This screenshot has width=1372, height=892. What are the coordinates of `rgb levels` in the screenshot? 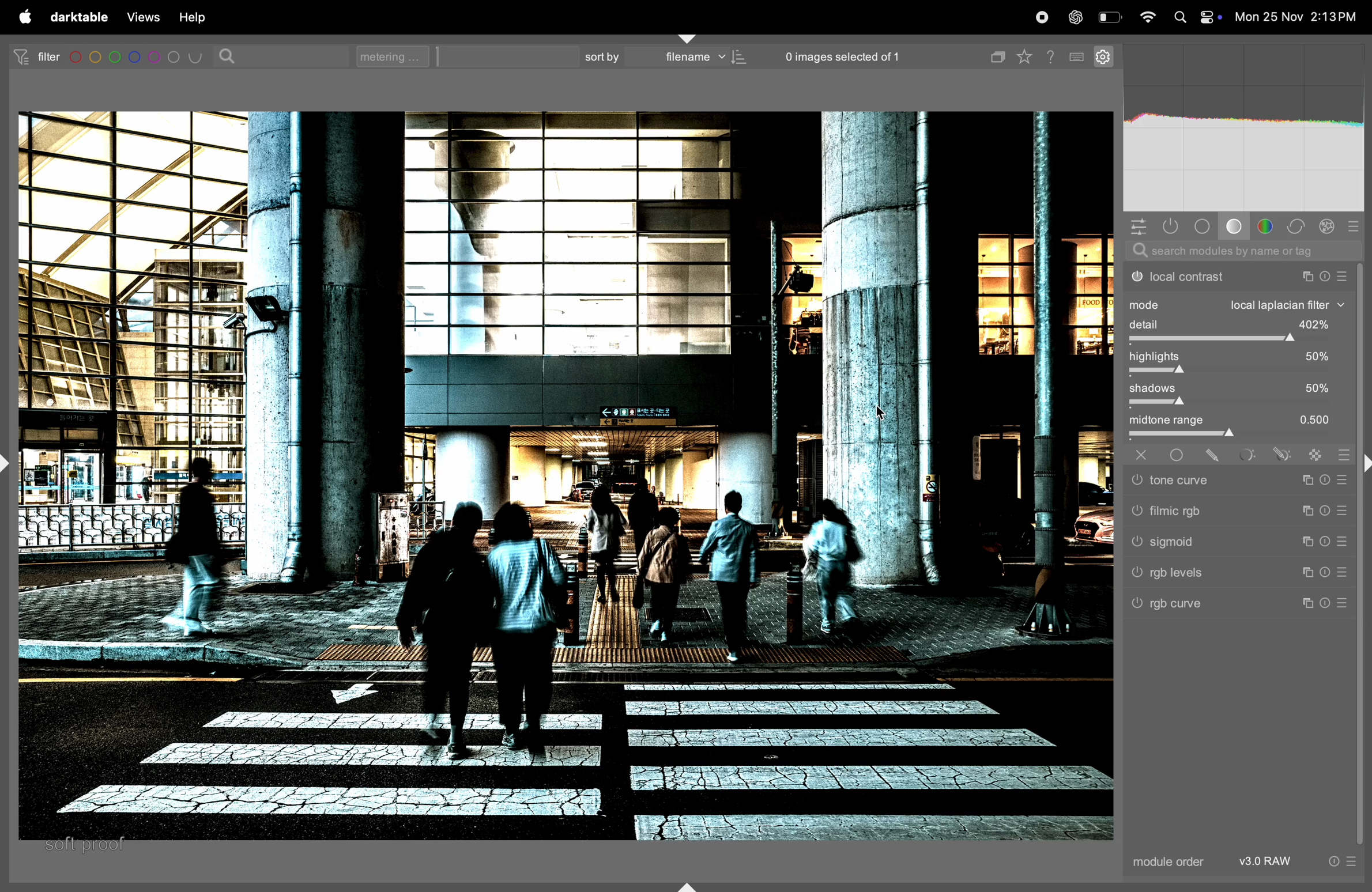 It's located at (1232, 574).